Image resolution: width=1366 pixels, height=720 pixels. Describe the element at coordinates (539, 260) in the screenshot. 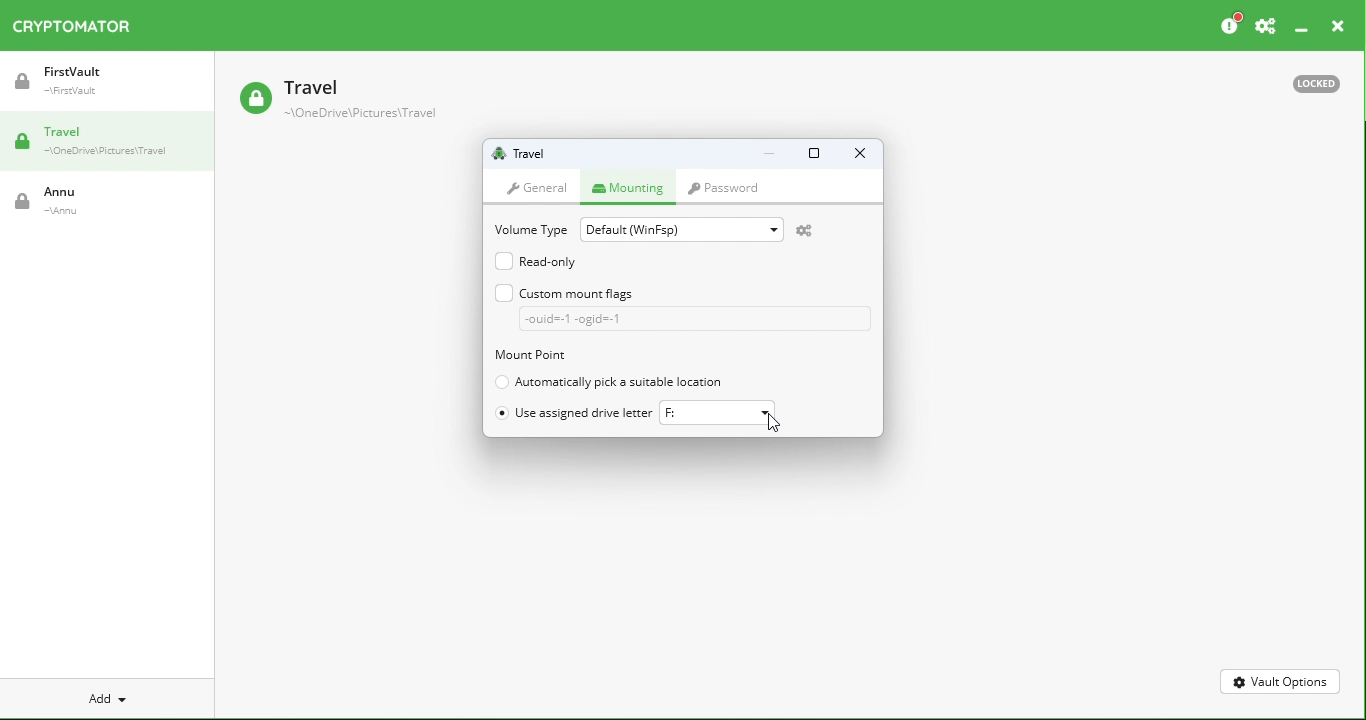

I see `Read only` at that location.